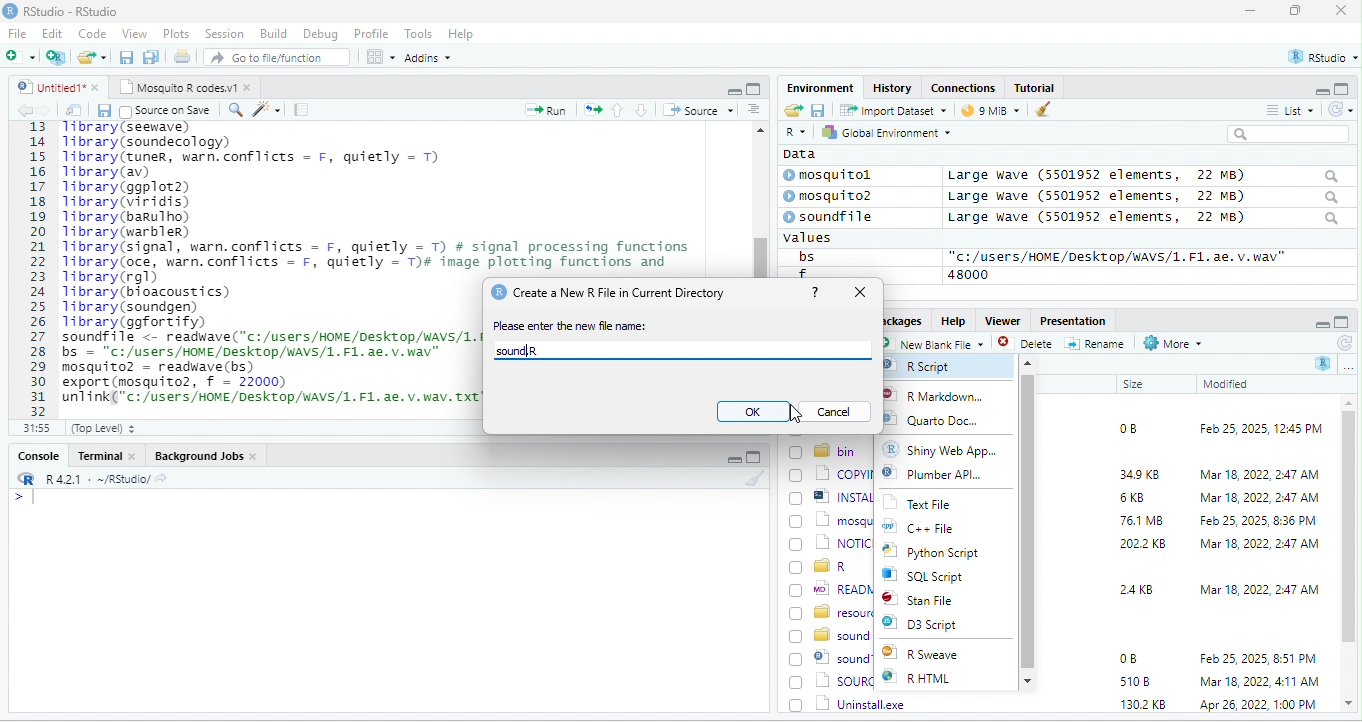 The width and height of the screenshot is (1362, 722). What do you see at coordinates (225, 32) in the screenshot?
I see `Session` at bounding box center [225, 32].